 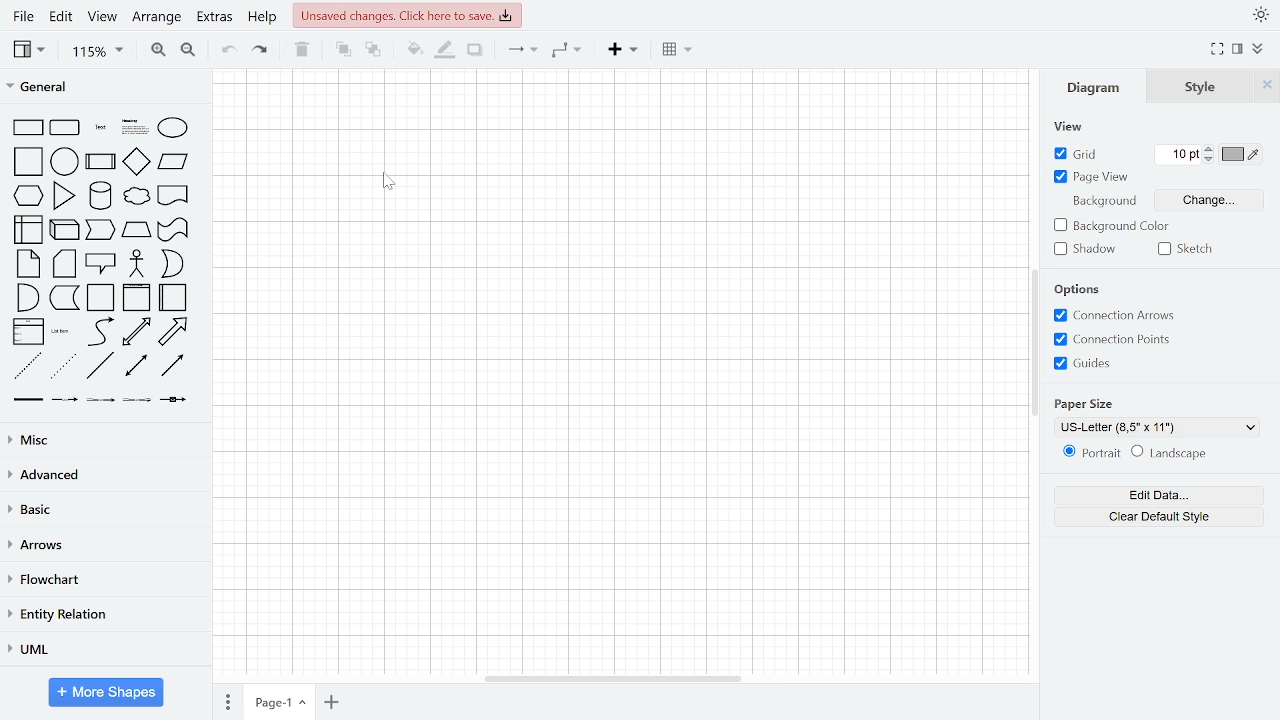 What do you see at coordinates (29, 197) in the screenshot?
I see `hexagon` at bounding box center [29, 197].